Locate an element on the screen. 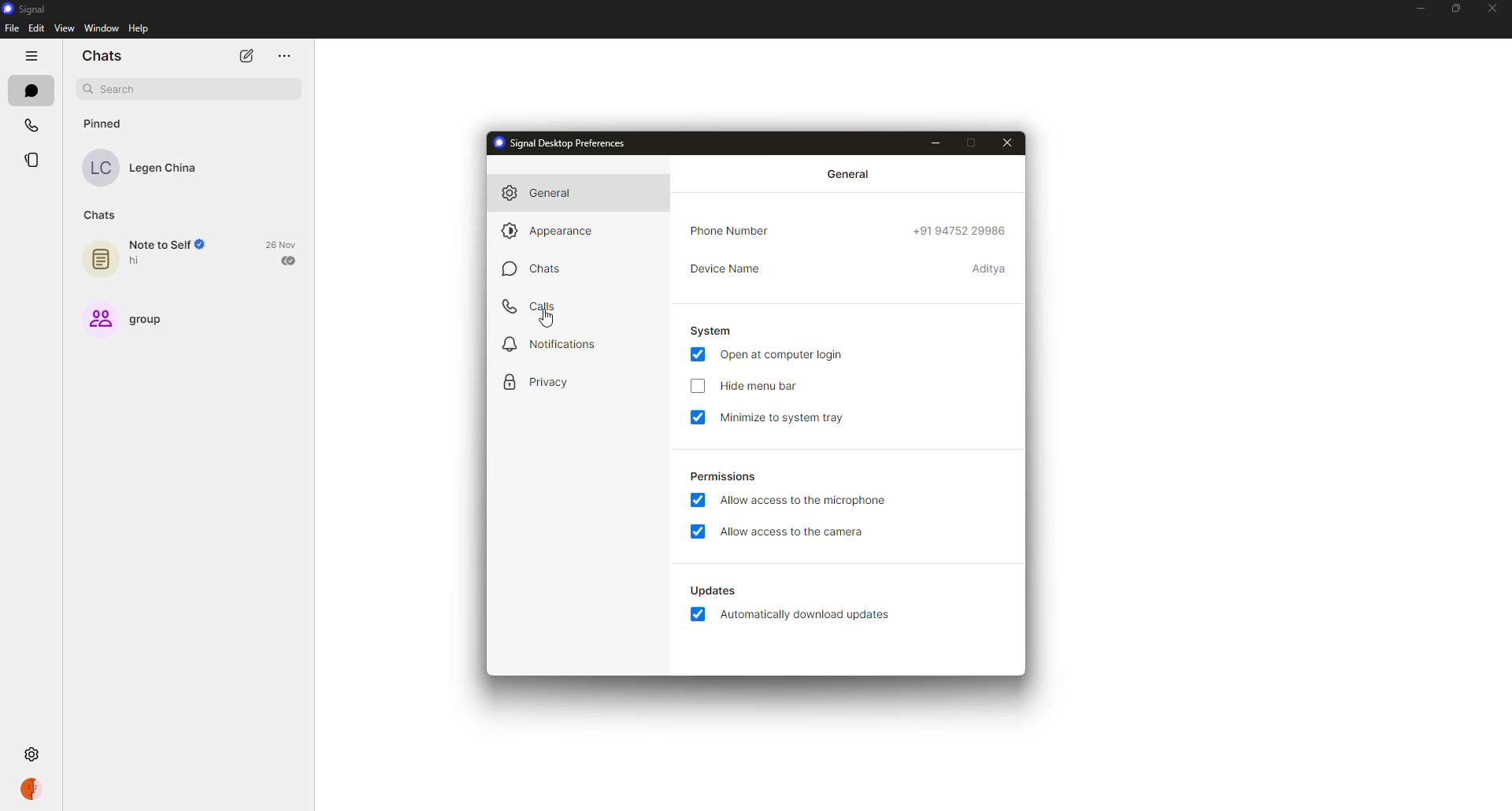 The width and height of the screenshot is (1512, 811). allow access to microphone is located at coordinates (810, 499).